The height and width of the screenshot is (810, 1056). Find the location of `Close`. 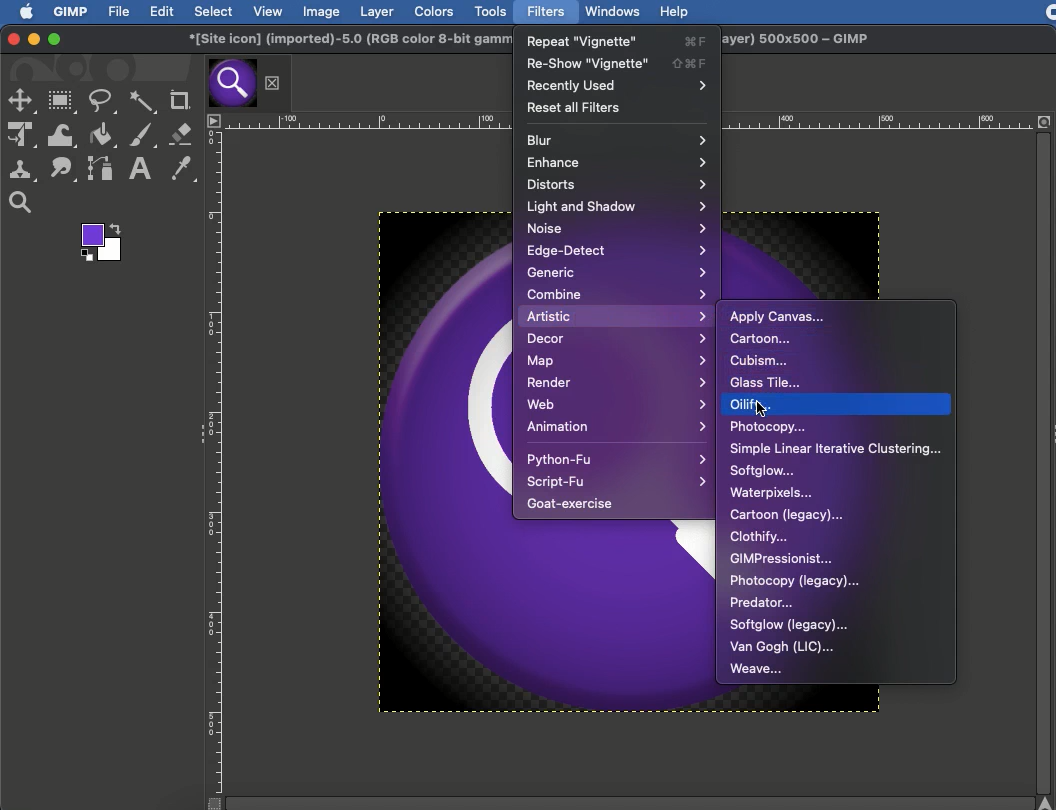

Close is located at coordinates (272, 81).